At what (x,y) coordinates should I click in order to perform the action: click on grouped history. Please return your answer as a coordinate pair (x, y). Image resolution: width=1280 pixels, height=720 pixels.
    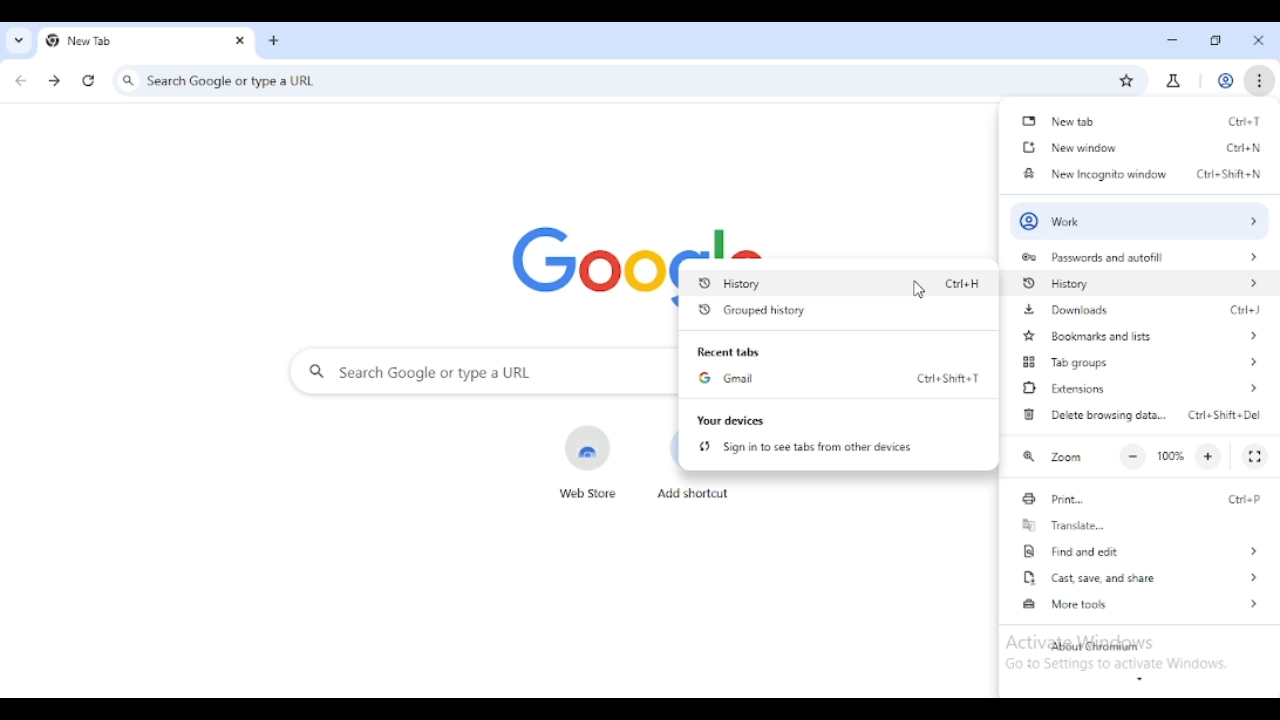
    Looking at the image, I should click on (750, 310).